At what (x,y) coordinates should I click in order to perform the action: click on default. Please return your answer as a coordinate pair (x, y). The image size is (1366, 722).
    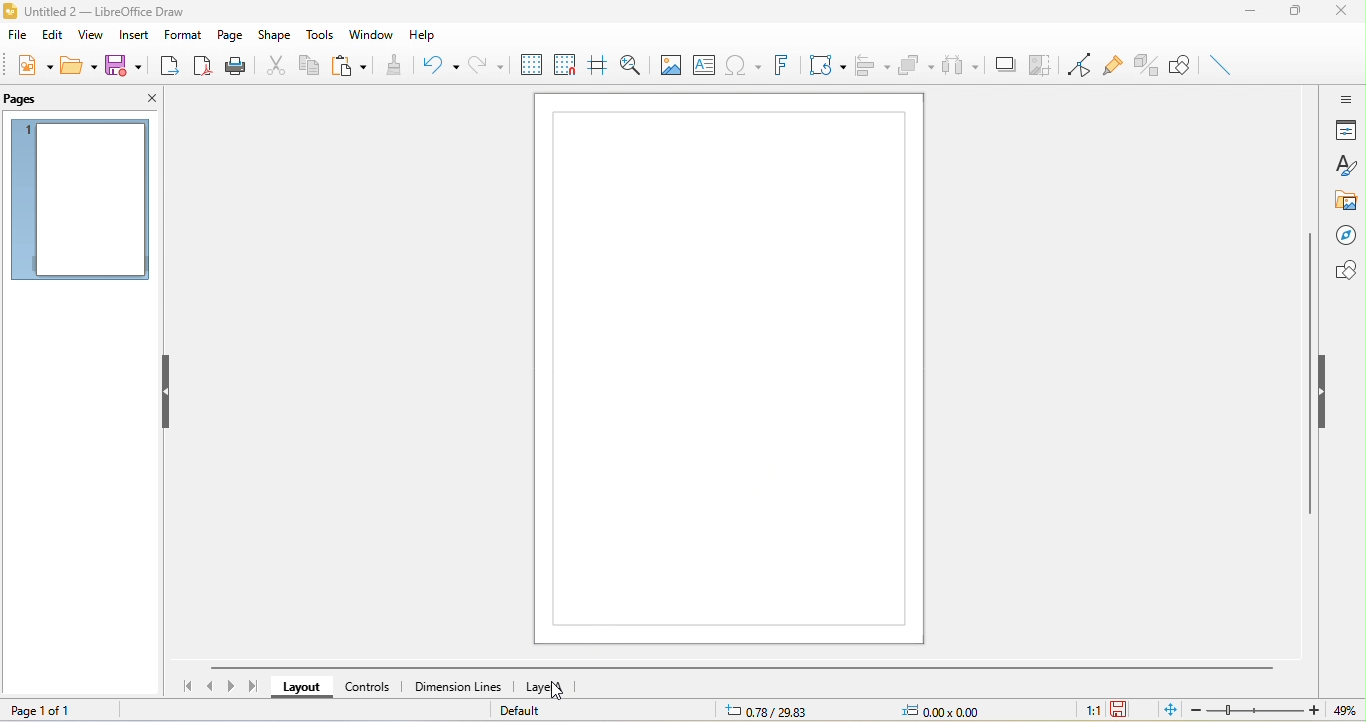
    Looking at the image, I should click on (535, 713).